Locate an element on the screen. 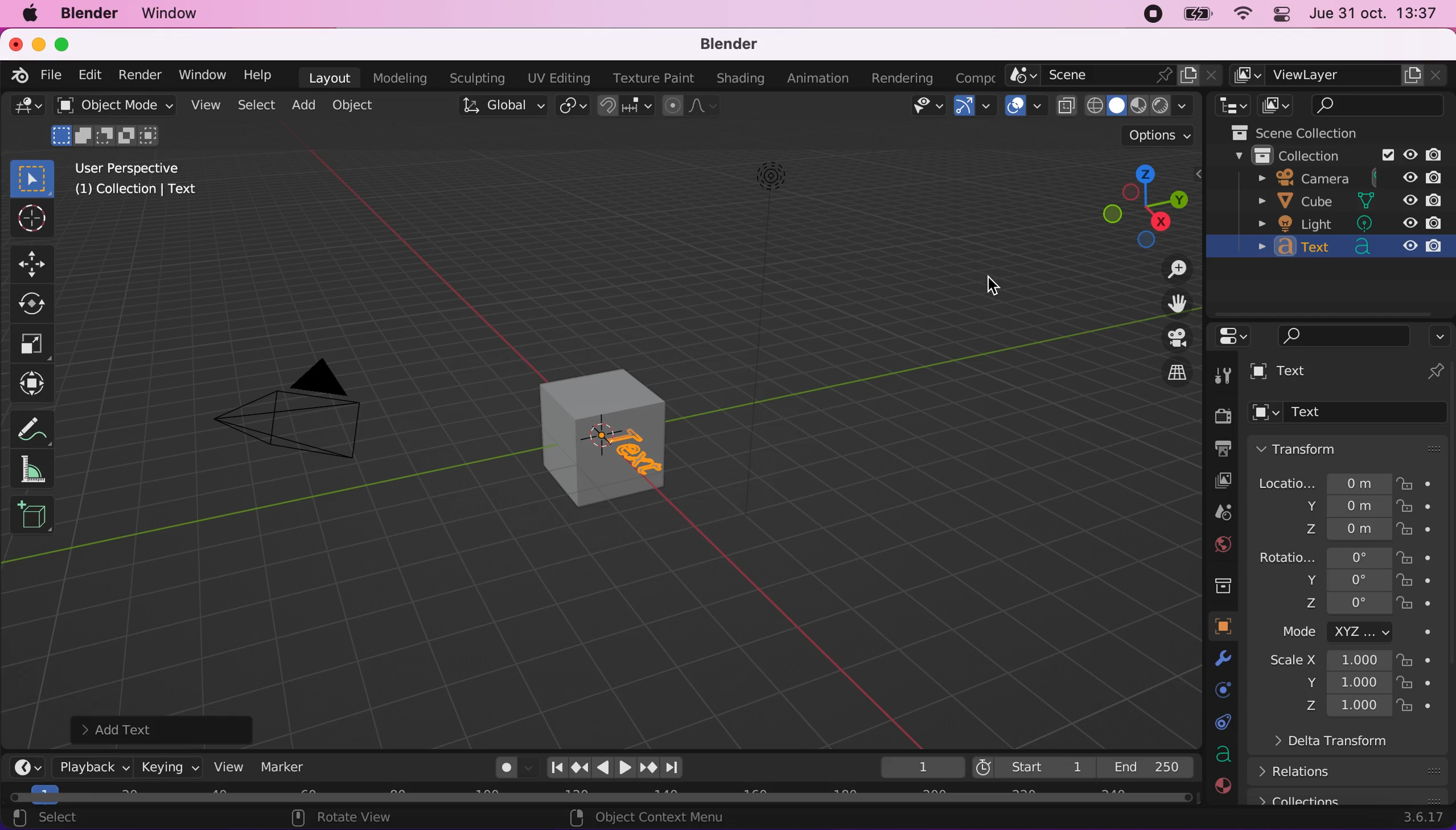 This screenshot has width=1456, height=830. rotate is located at coordinates (34, 303).